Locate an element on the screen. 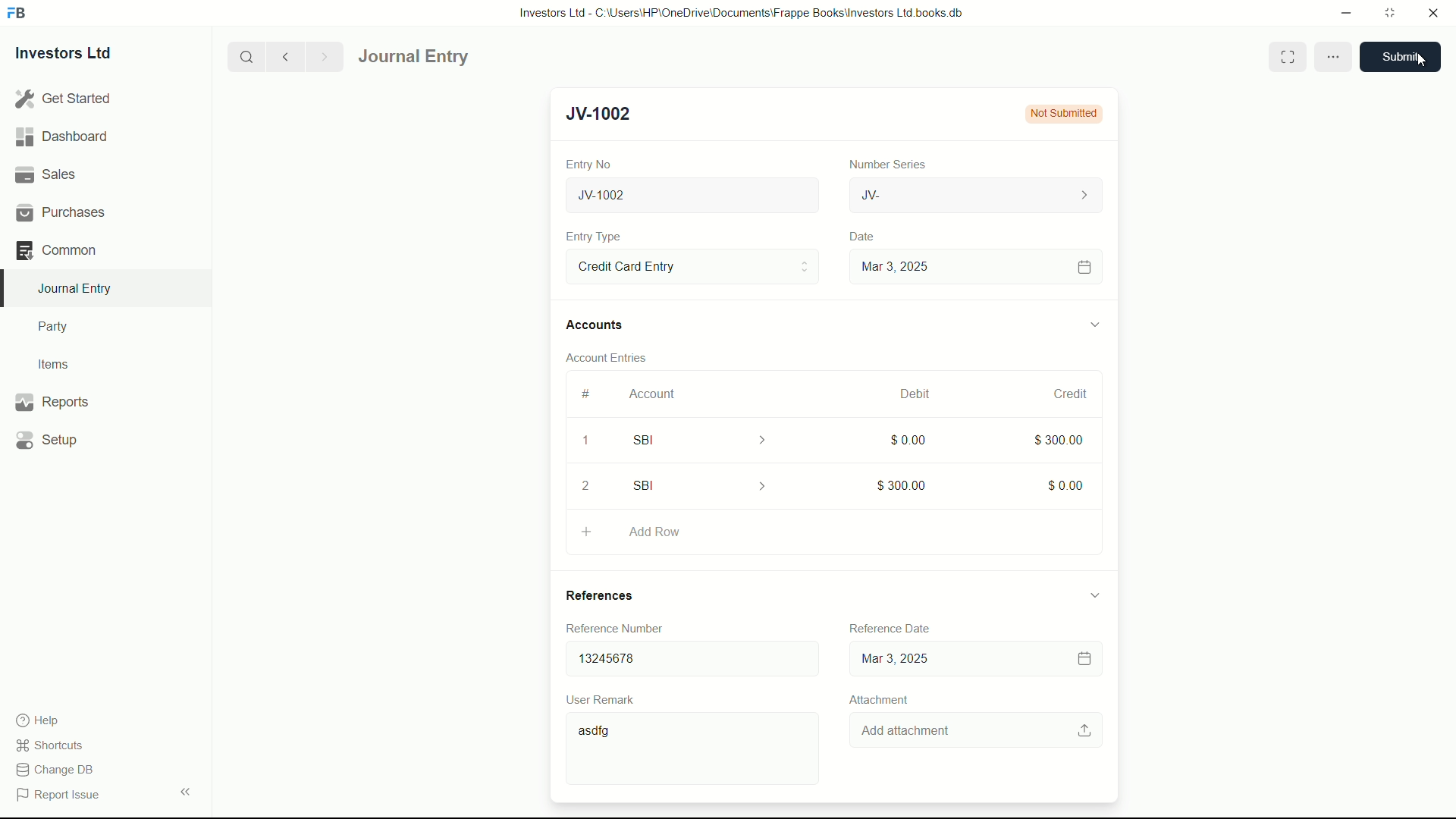 This screenshot has width=1456, height=819. Journal Entry is located at coordinates (457, 57).